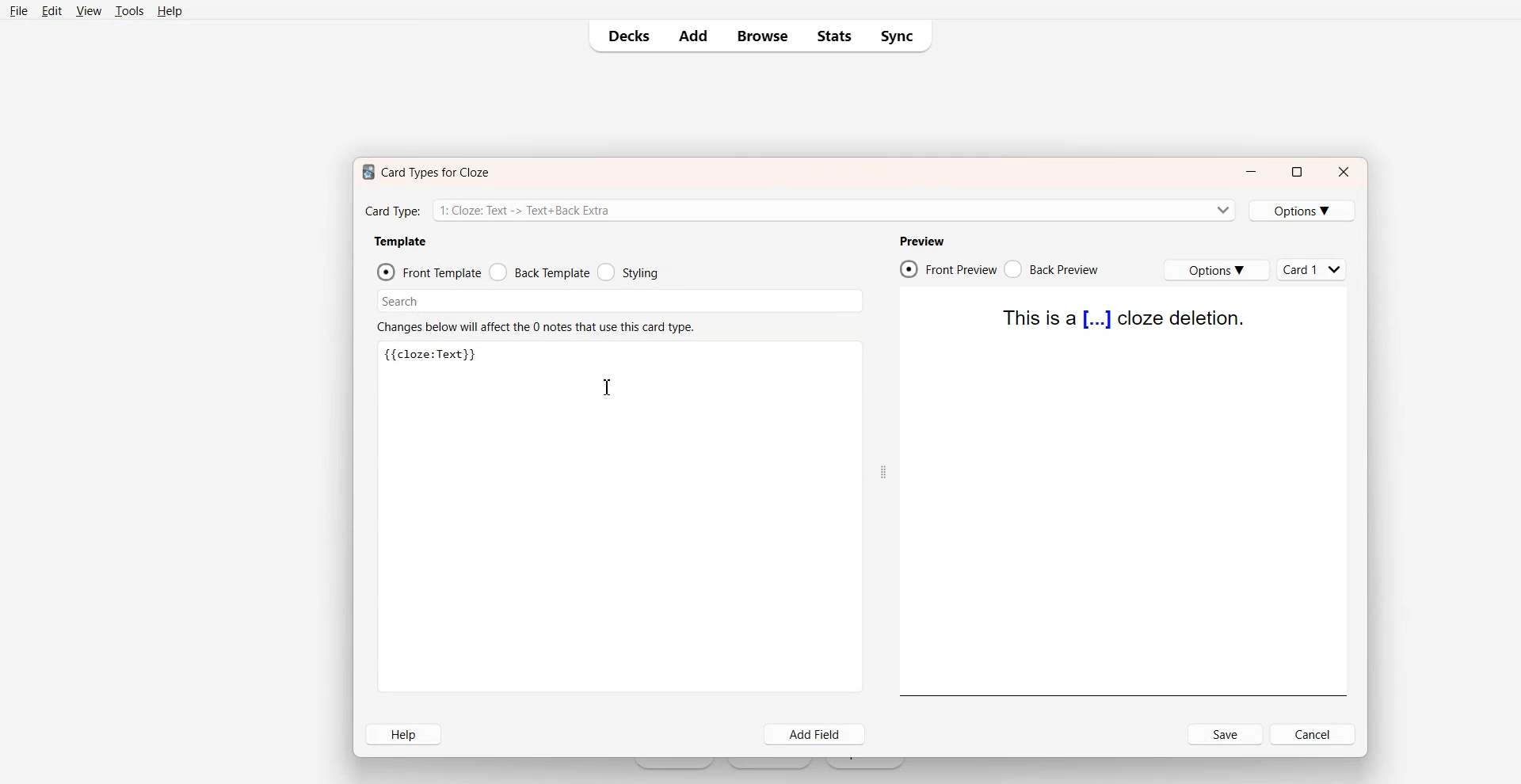 This screenshot has height=784, width=1521. What do you see at coordinates (948, 268) in the screenshot?
I see `Front Preview` at bounding box center [948, 268].